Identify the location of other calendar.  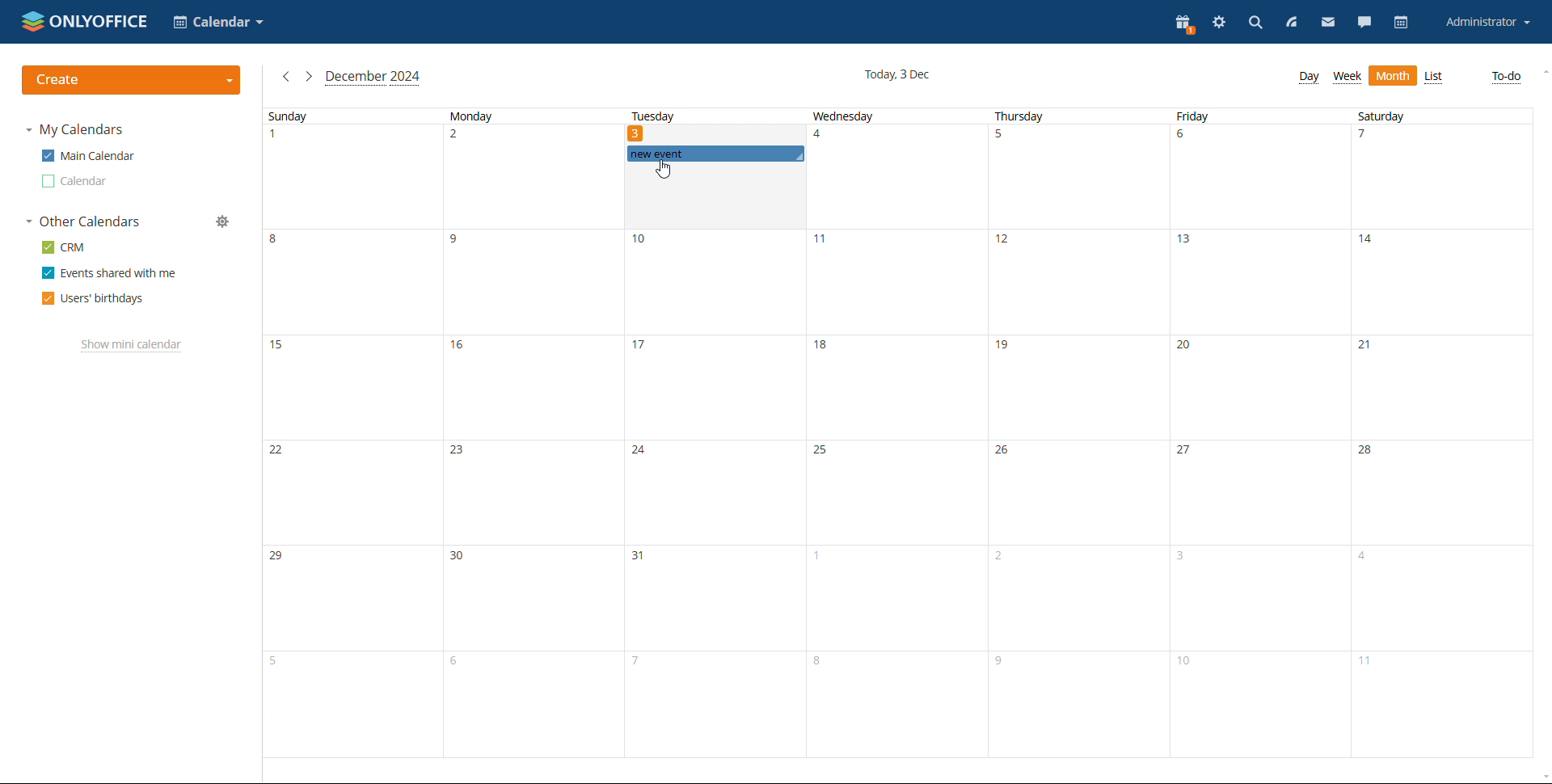
(74, 182).